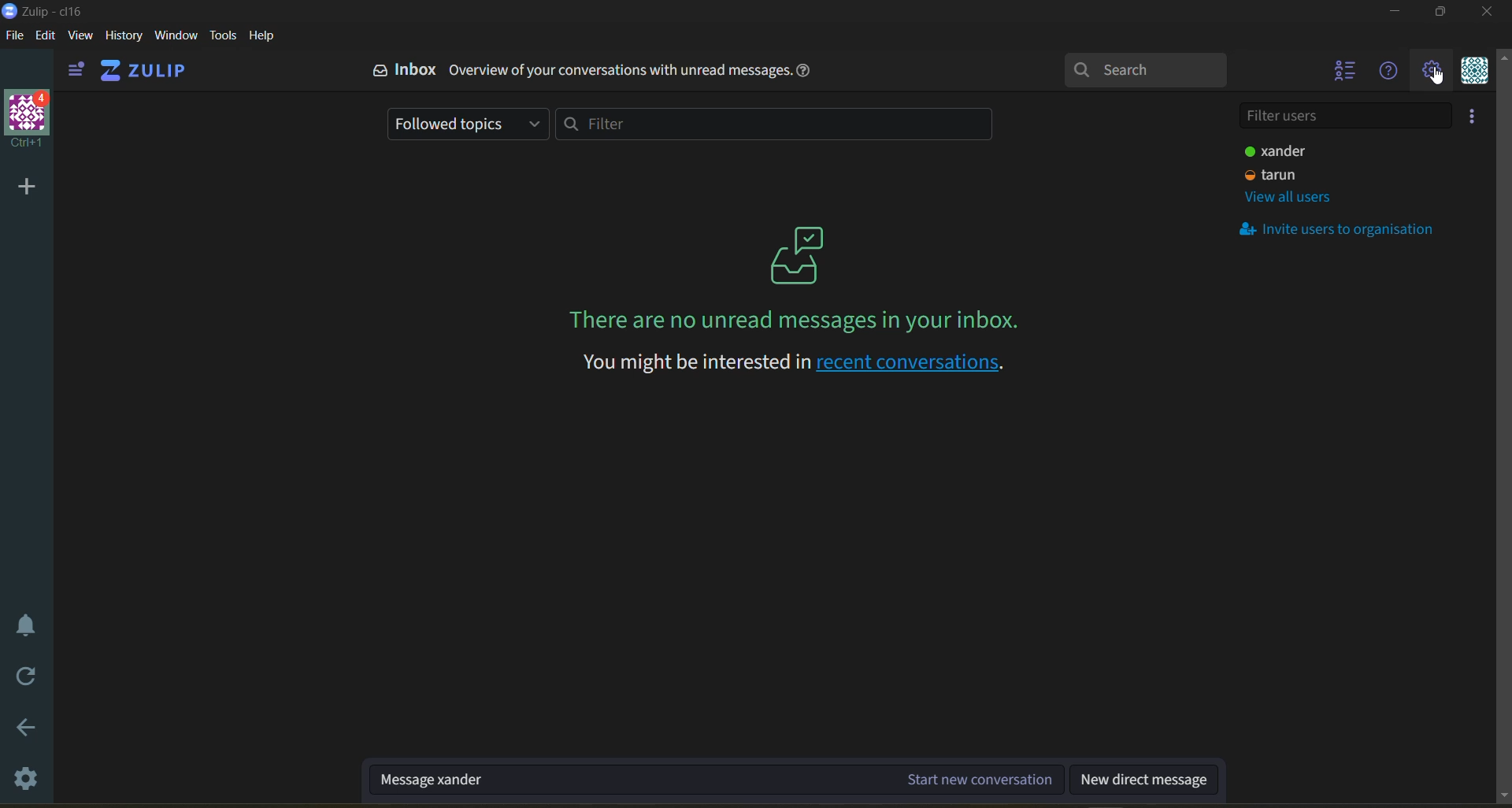 The height and width of the screenshot is (808, 1512). What do you see at coordinates (27, 784) in the screenshot?
I see `settings` at bounding box center [27, 784].